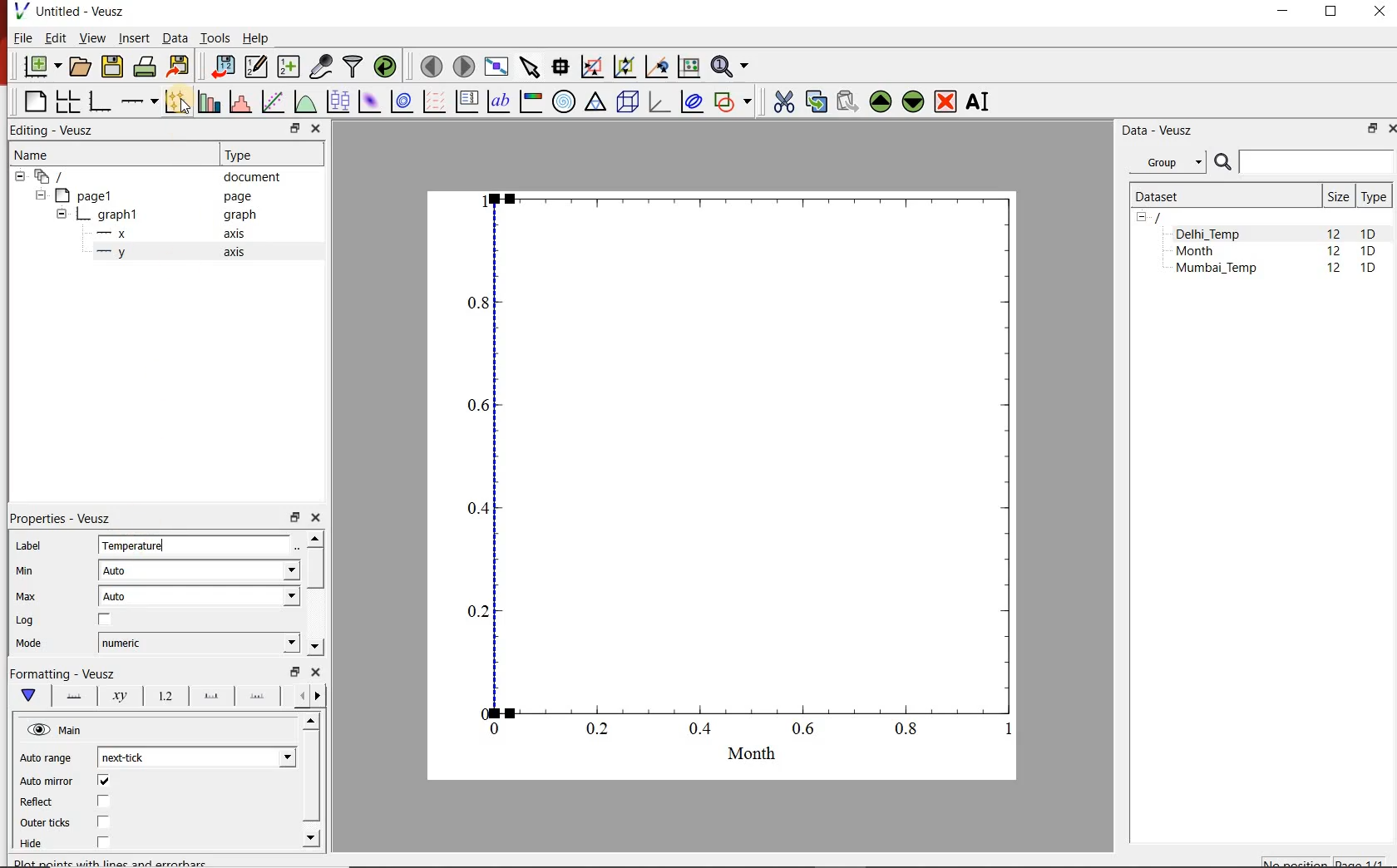 This screenshot has width=1397, height=868. What do you see at coordinates (624, 67) in the screenshot?
I see `click to zoom out of graph axes` at bounding box center [624, 67].